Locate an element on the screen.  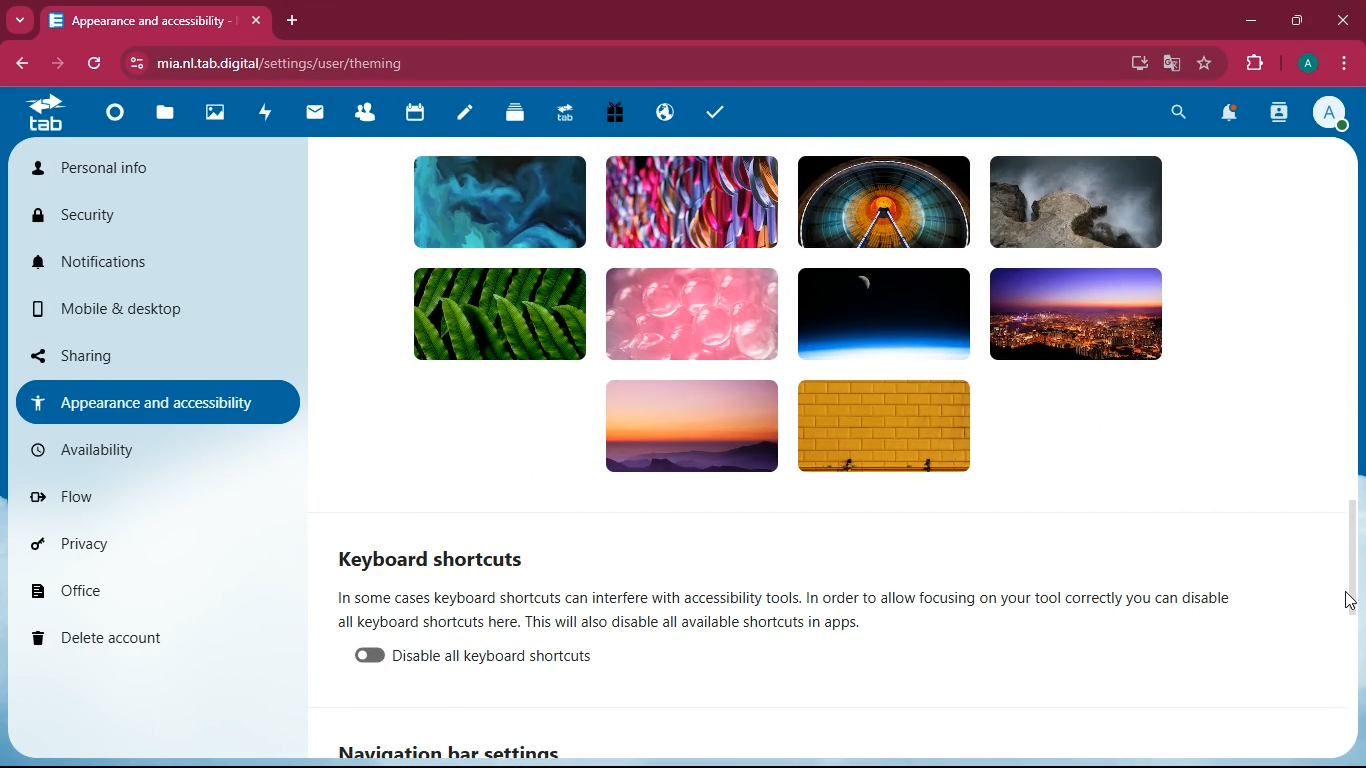
home is located at coordinates (115, 122).